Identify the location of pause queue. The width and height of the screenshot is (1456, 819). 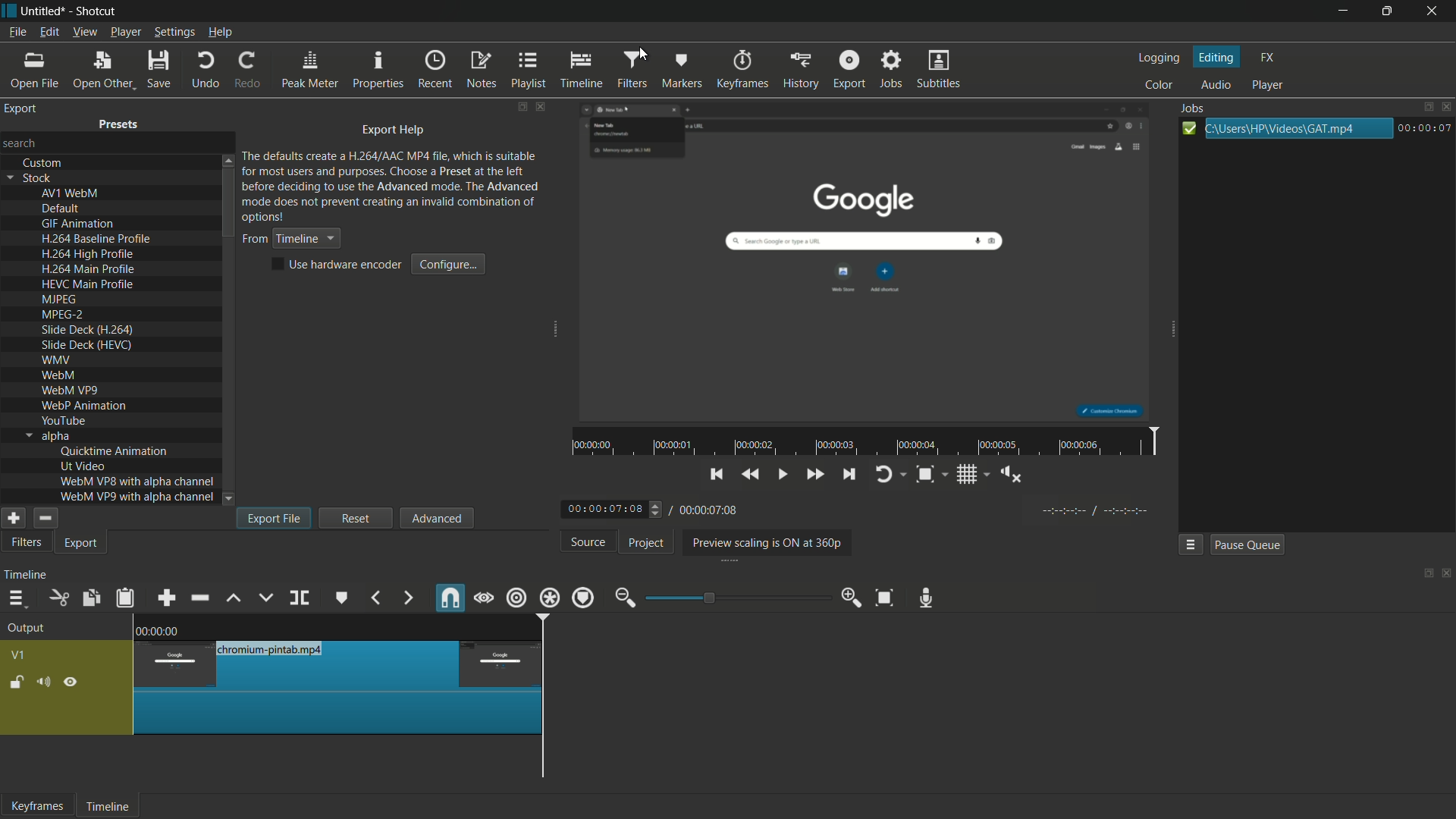
(1247, 545).